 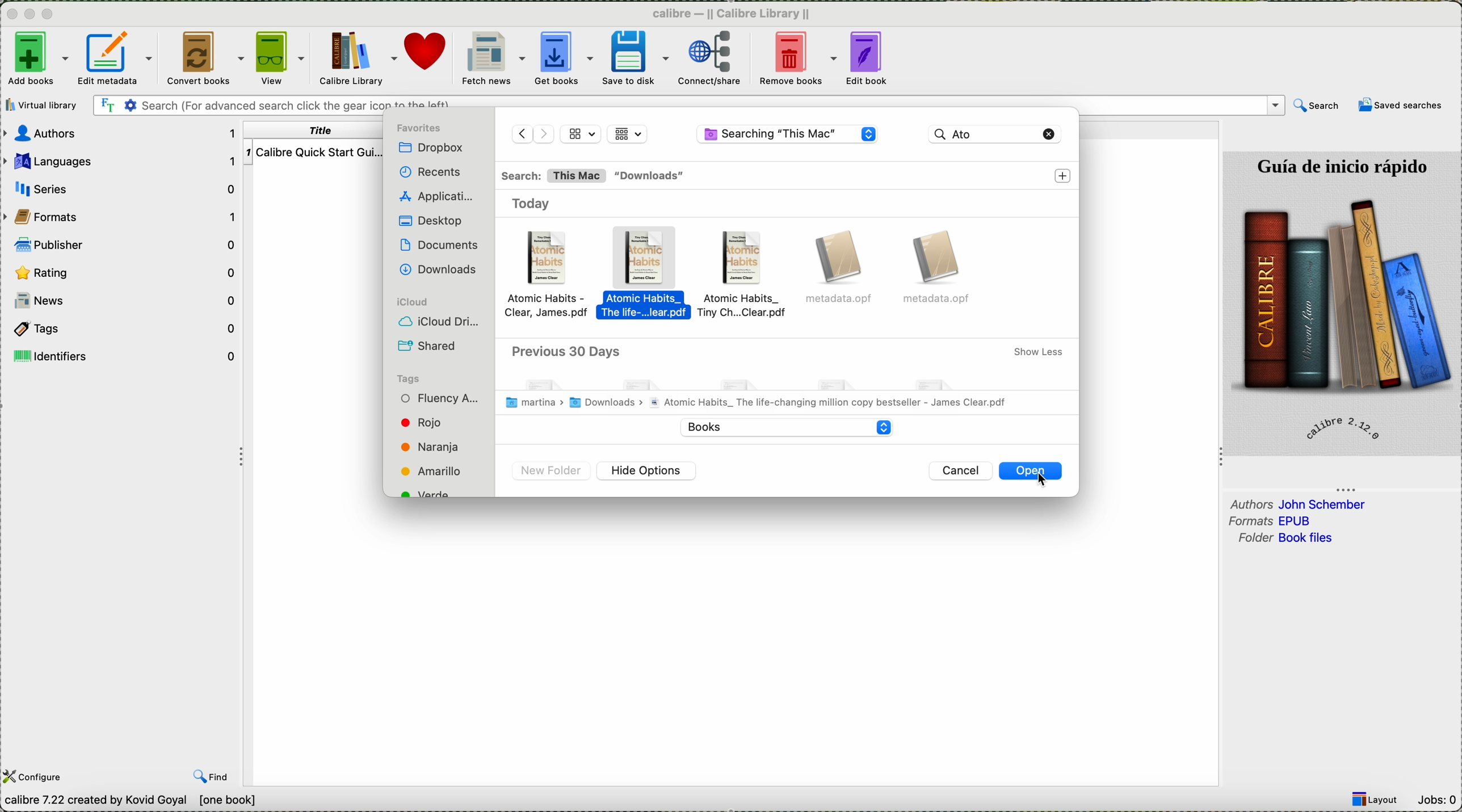 I want to click on get books, so click(x=564, y=57).